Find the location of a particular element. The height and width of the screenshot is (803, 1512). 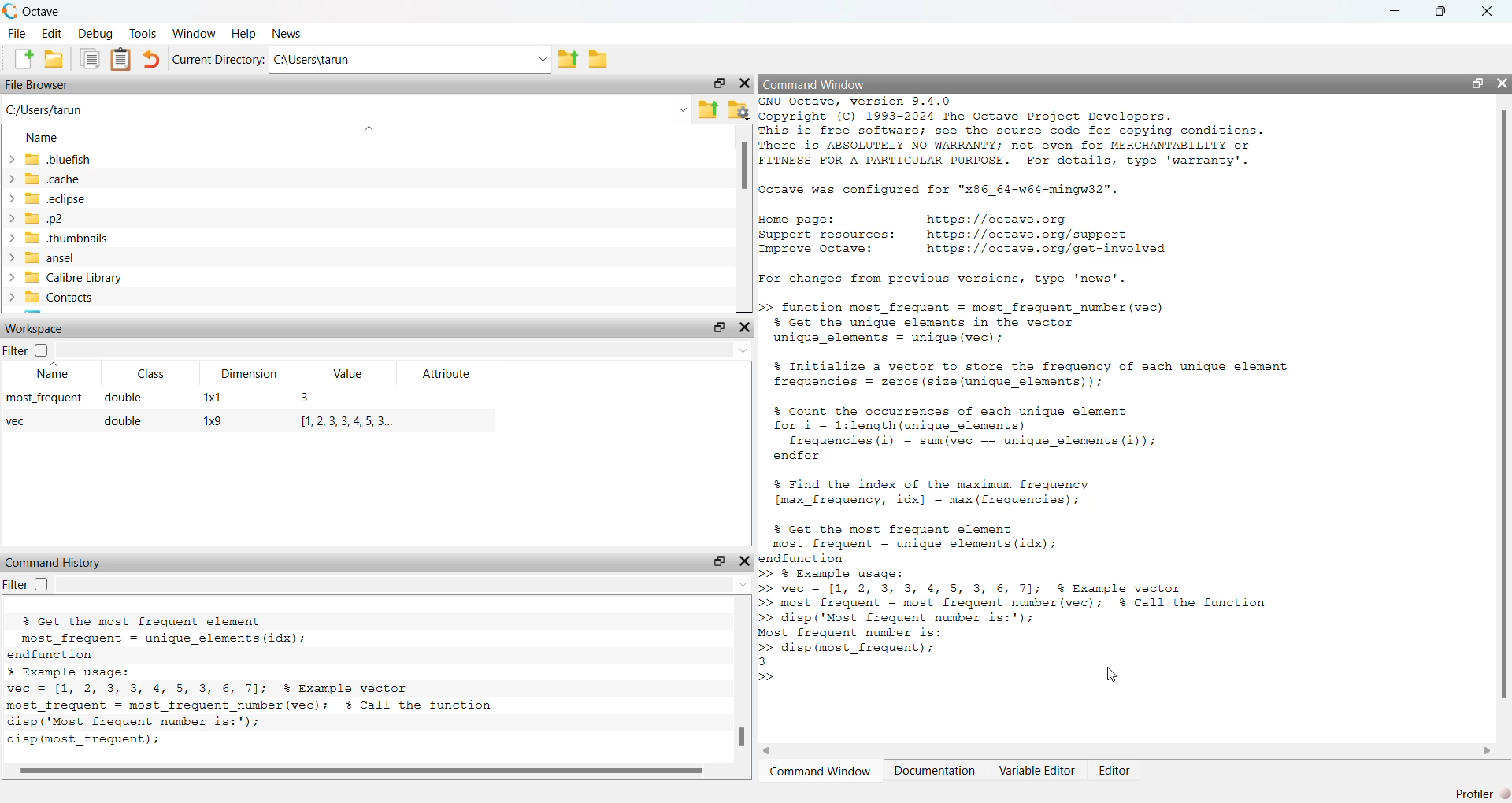

ansel is located at coordinates (50, 258).